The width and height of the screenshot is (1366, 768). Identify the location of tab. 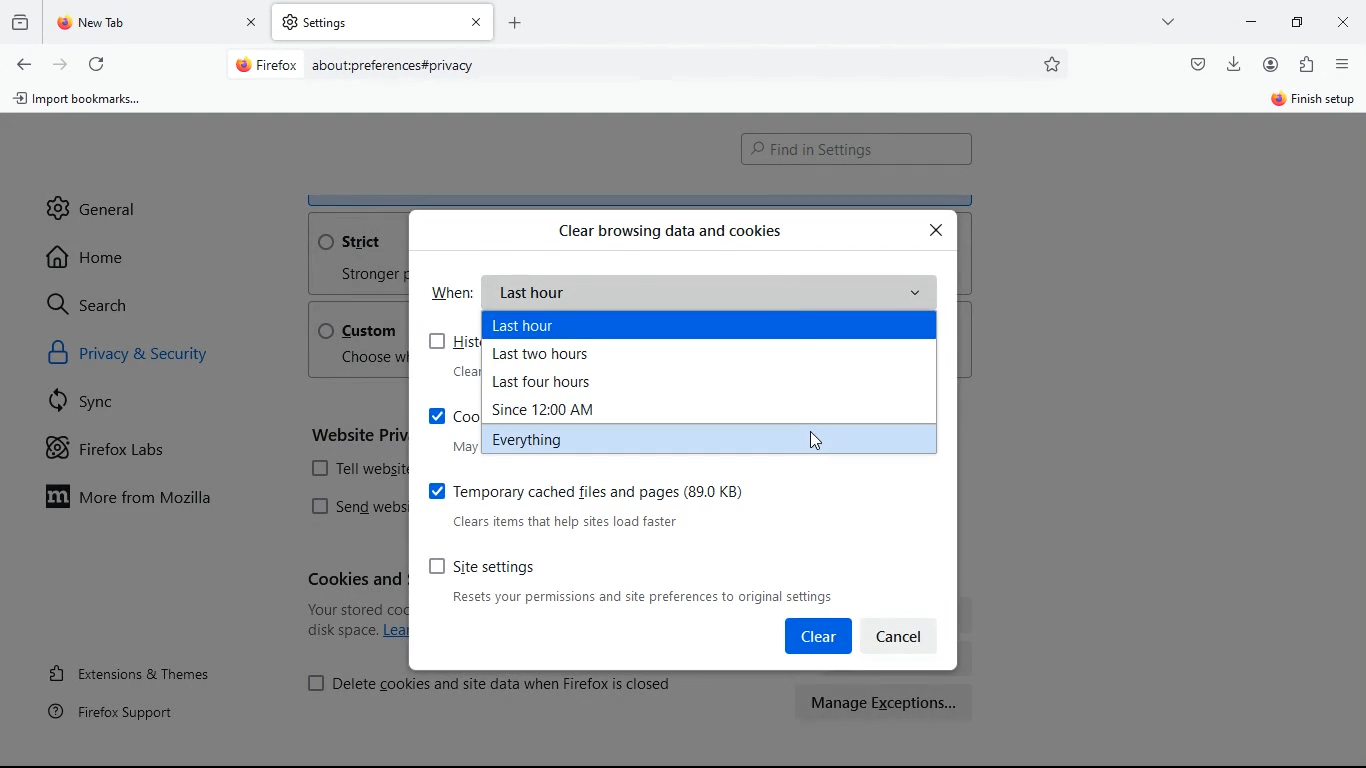
(158, 23).